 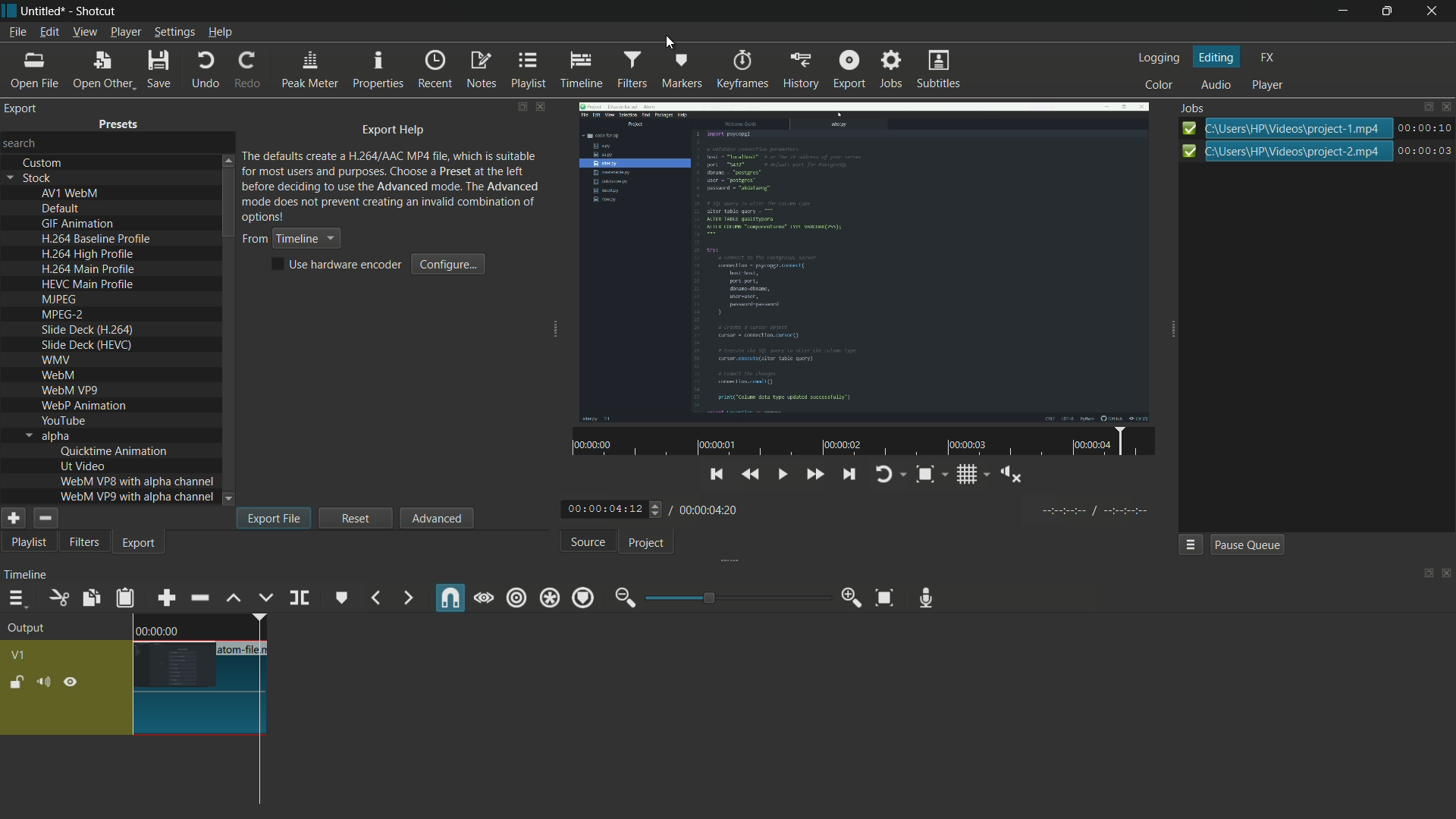 What do you see at coordinates (69, 391) in the screenshot?
I see `webm vp9` at bounding box center [69, 391].